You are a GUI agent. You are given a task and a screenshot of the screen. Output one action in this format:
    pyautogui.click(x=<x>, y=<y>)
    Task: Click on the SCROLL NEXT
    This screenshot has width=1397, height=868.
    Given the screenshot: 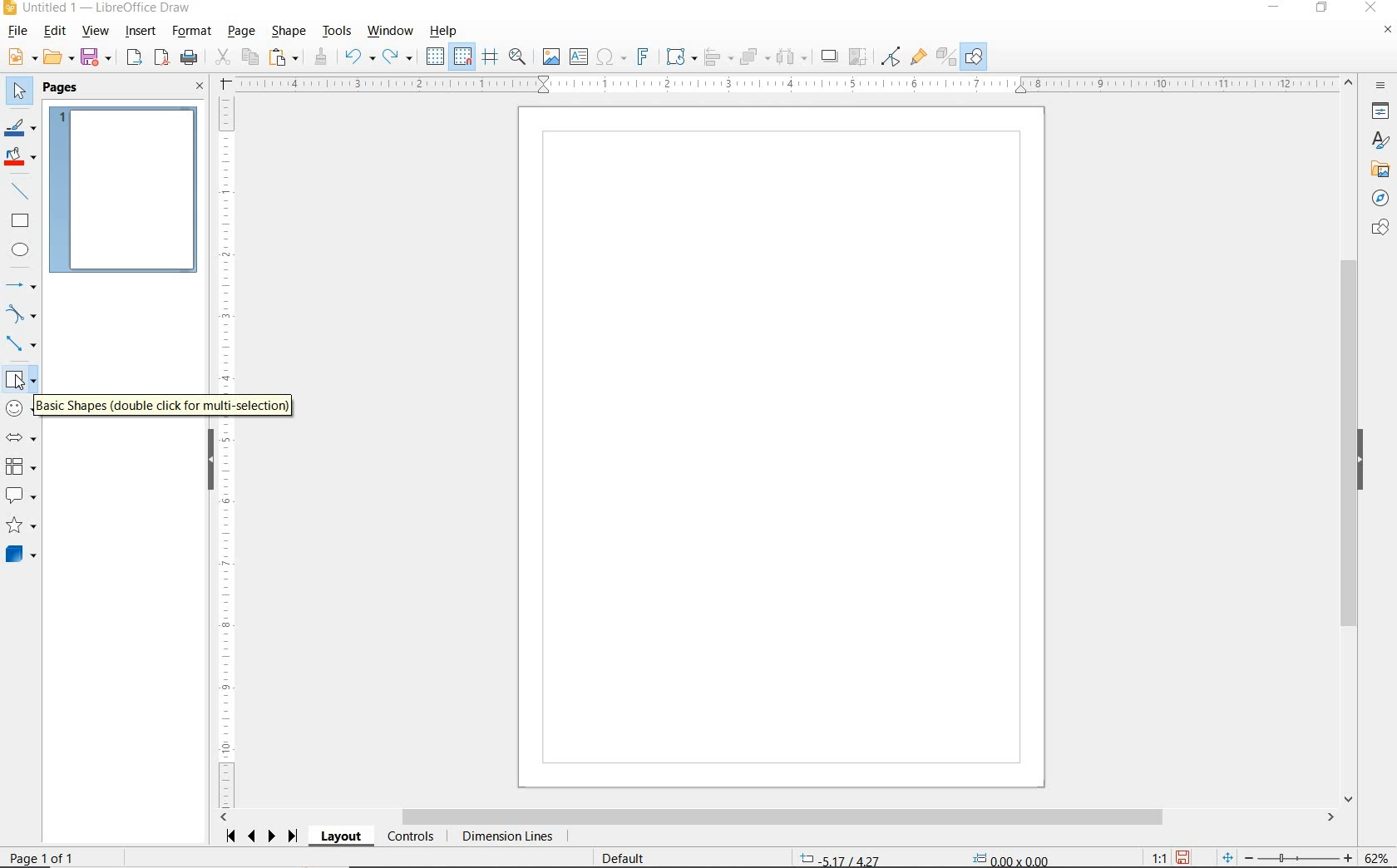 What is the action you would take?
    pyautogui.click(x=263, y=836)
    